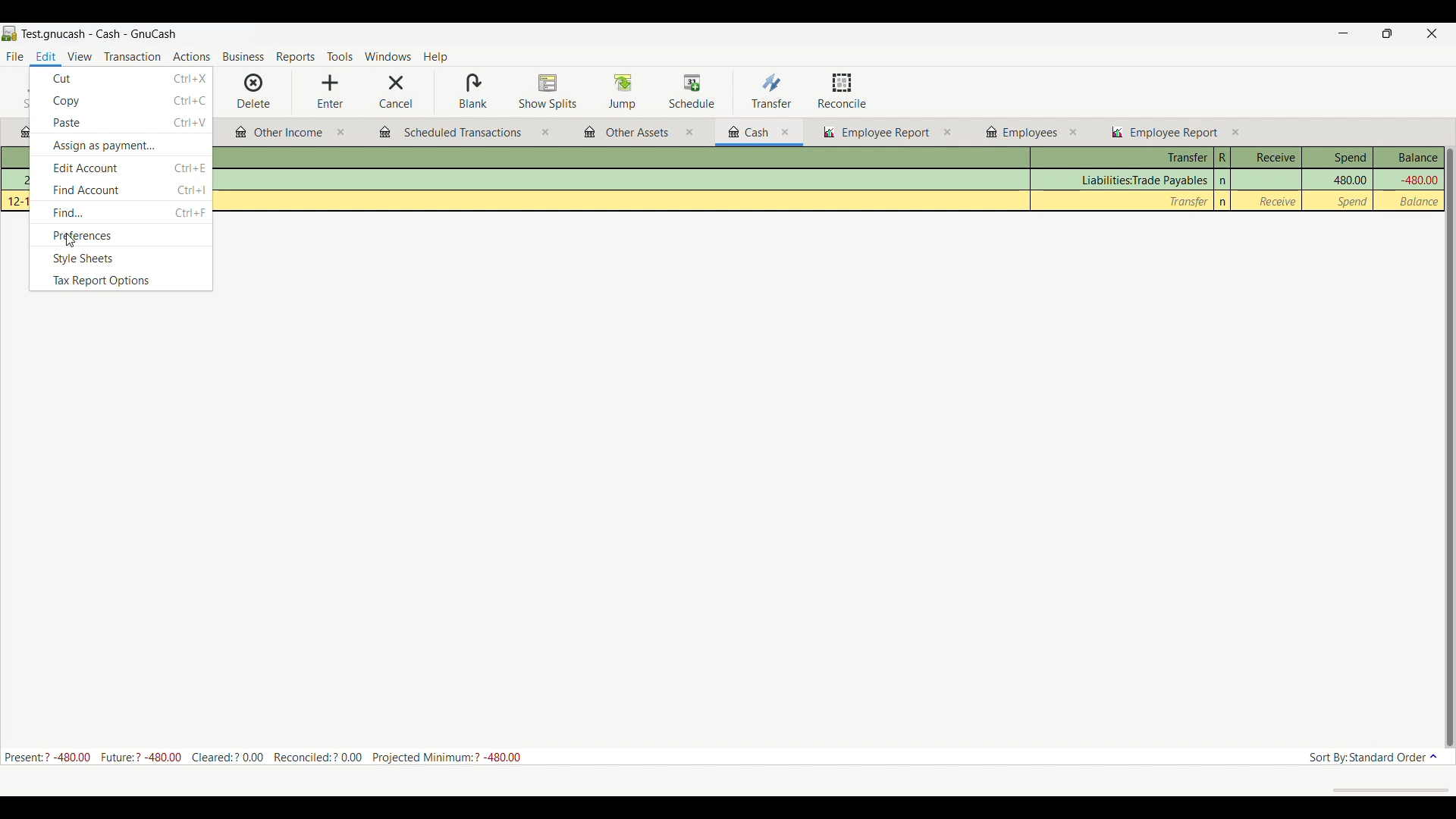 The height and width of the screenshot is (819, 1456). I want to click on Other budgets and reports, so click(450, 134).